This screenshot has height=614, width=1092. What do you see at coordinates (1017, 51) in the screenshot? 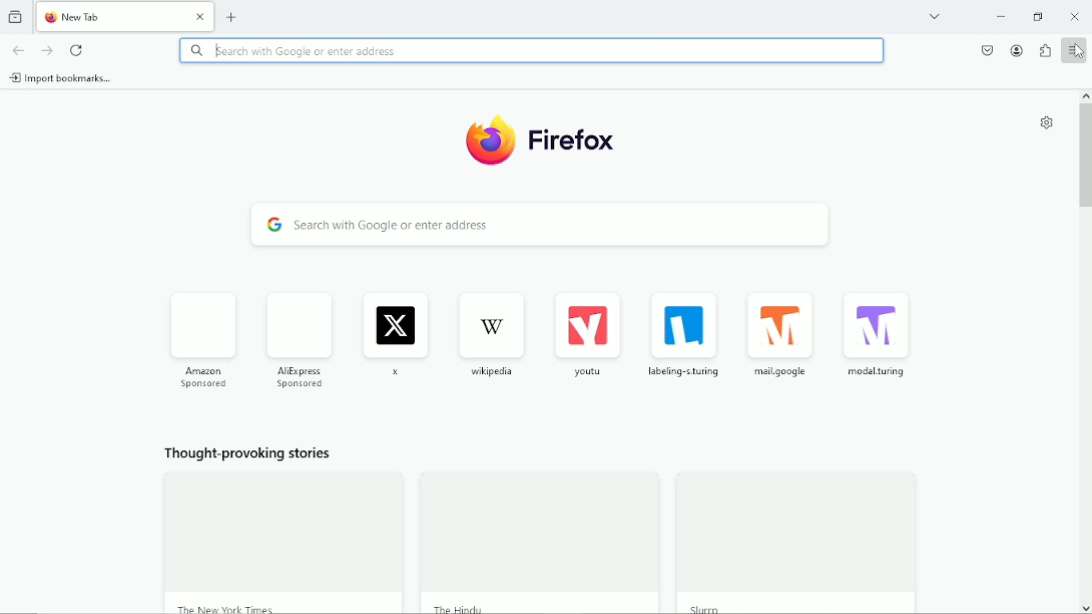
I see `account` at bounding box center [1017, 51].